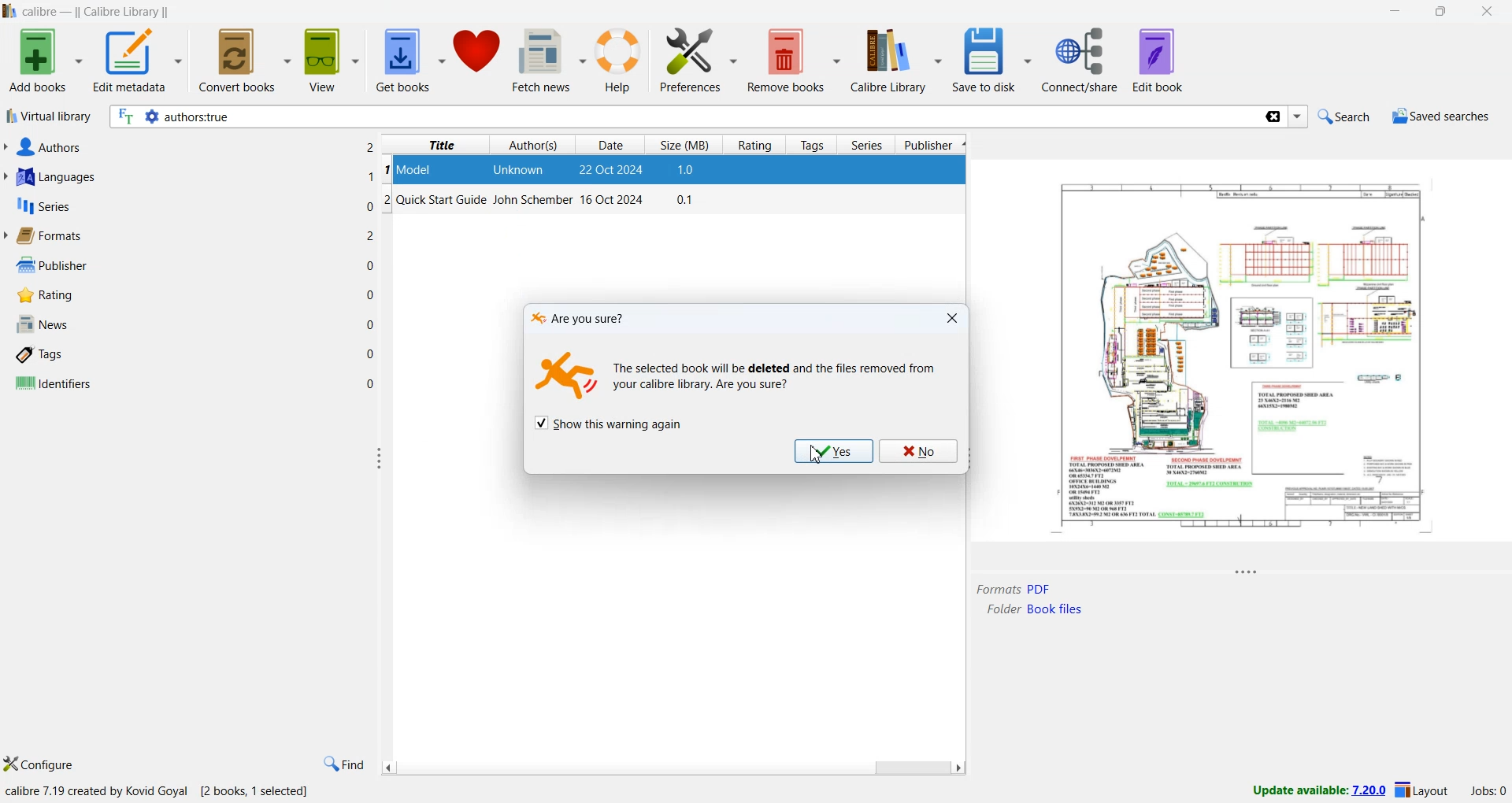  What do you see at coordinates (613, 171) in the screenshot?
I see `date` at bounding box center [613, 171].